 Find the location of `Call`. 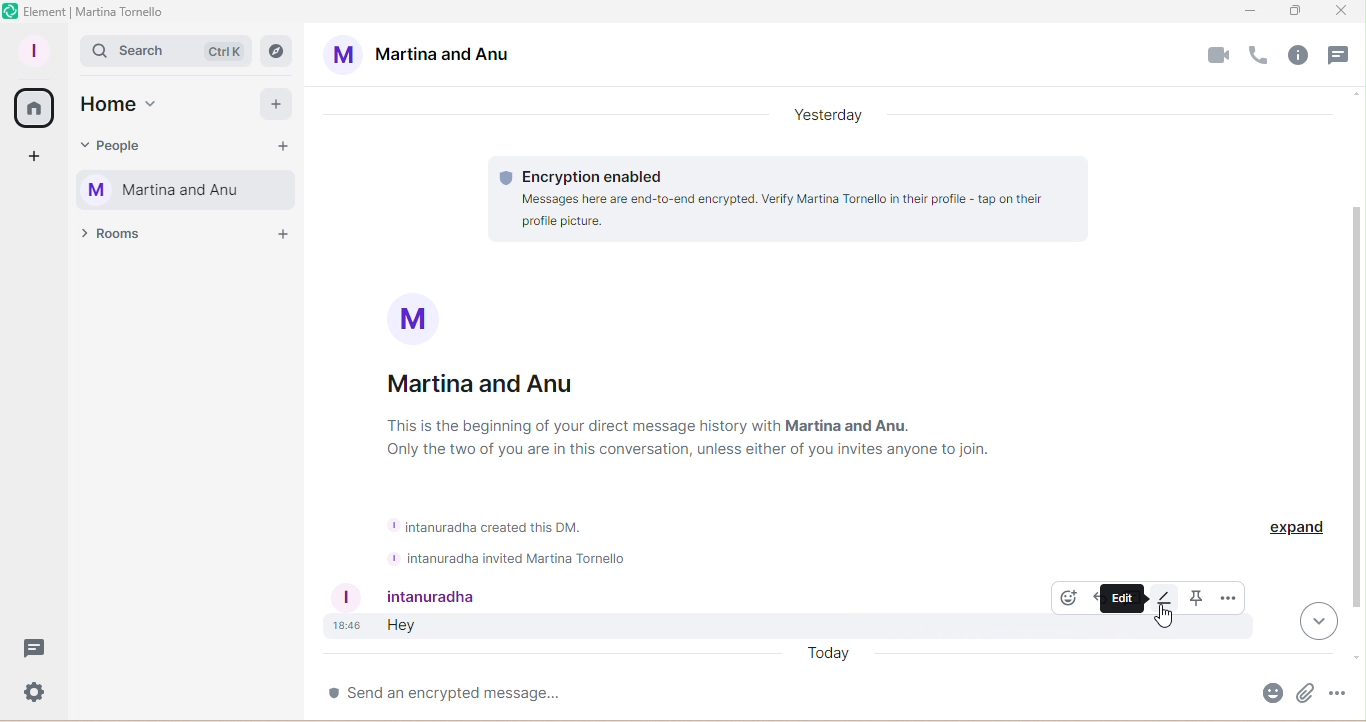

Call is located at coordinates (1260, 56).